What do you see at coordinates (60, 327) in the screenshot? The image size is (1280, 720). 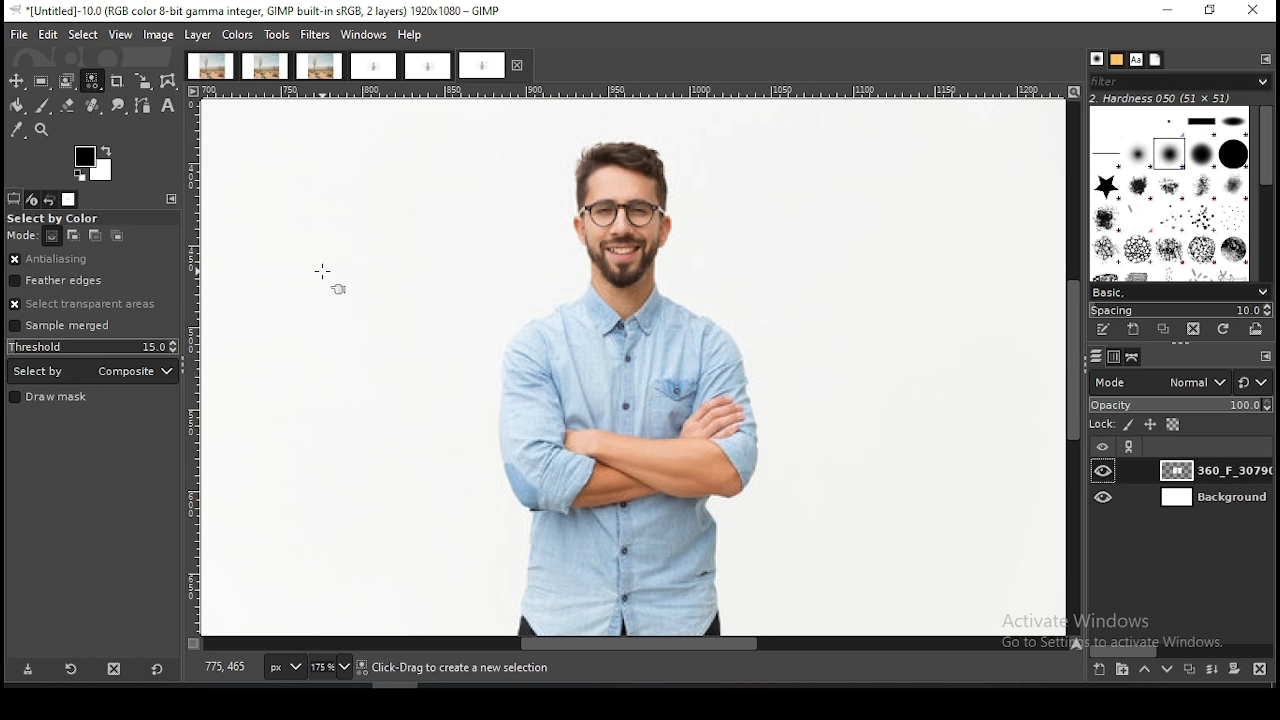 I see `sample merged` at bounding box center [60, 327].